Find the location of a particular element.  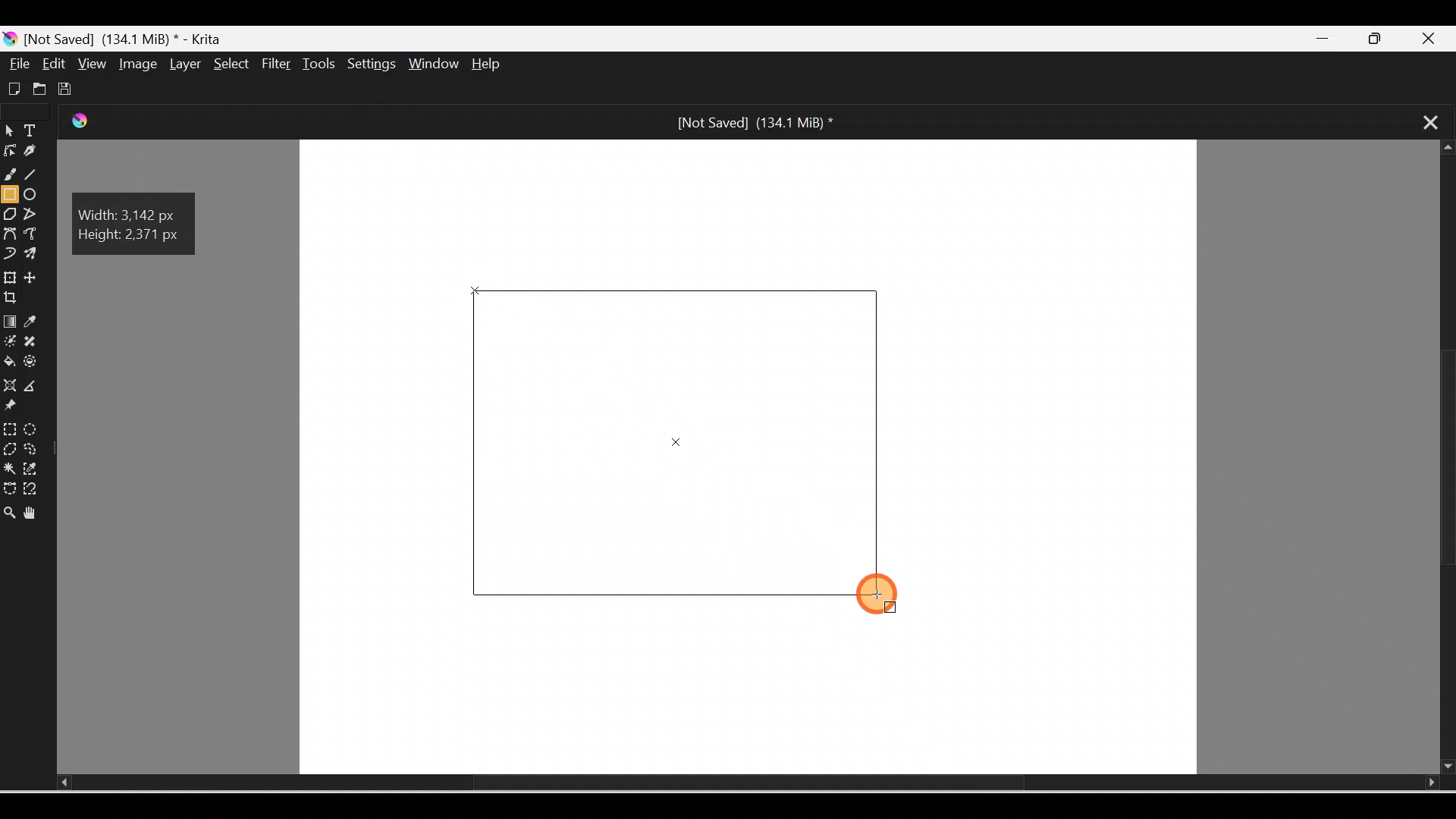

Freehand selection tool is located at coordinates (35, 449).